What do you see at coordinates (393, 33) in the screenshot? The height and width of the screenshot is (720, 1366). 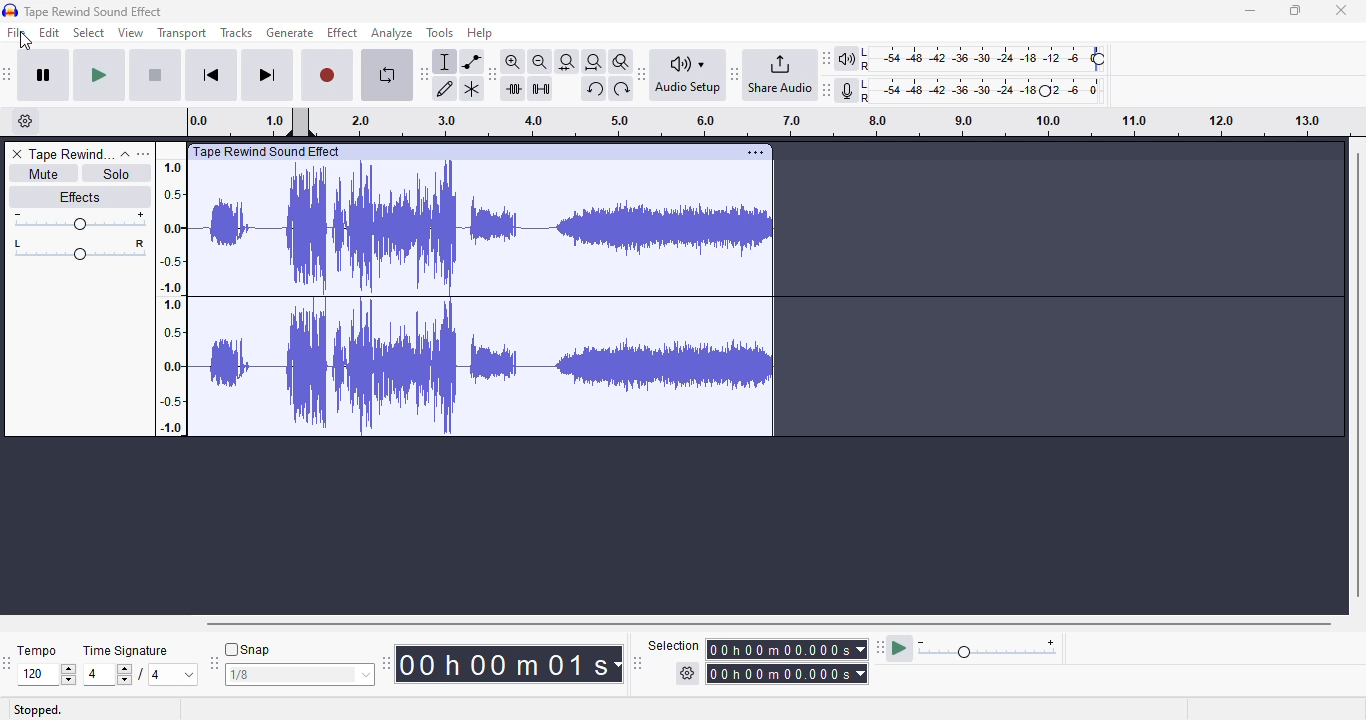 I see `analyze` at bounding box center [393, 33].